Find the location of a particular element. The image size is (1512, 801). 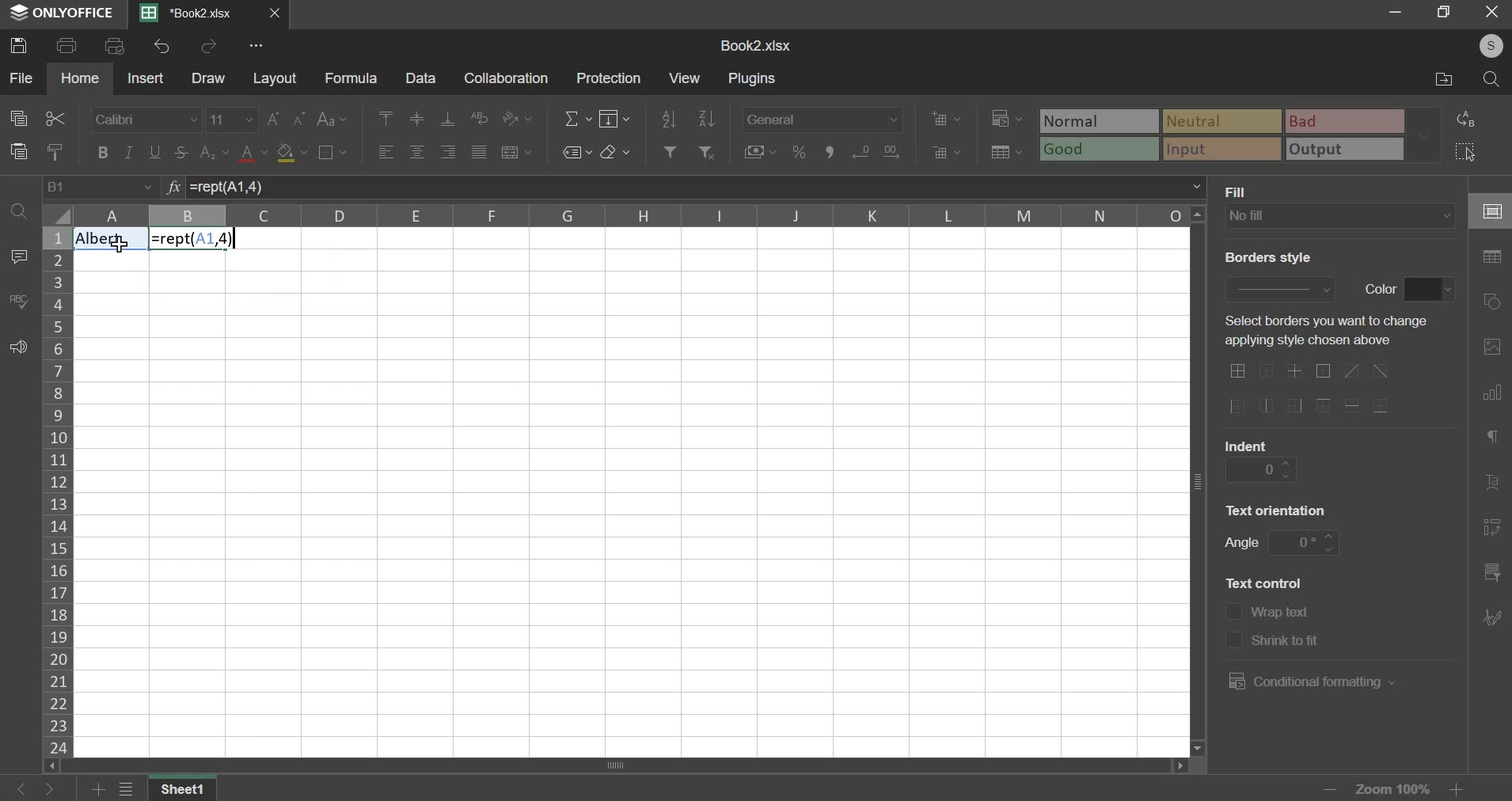

go forward is located at coordinates (57, 789).